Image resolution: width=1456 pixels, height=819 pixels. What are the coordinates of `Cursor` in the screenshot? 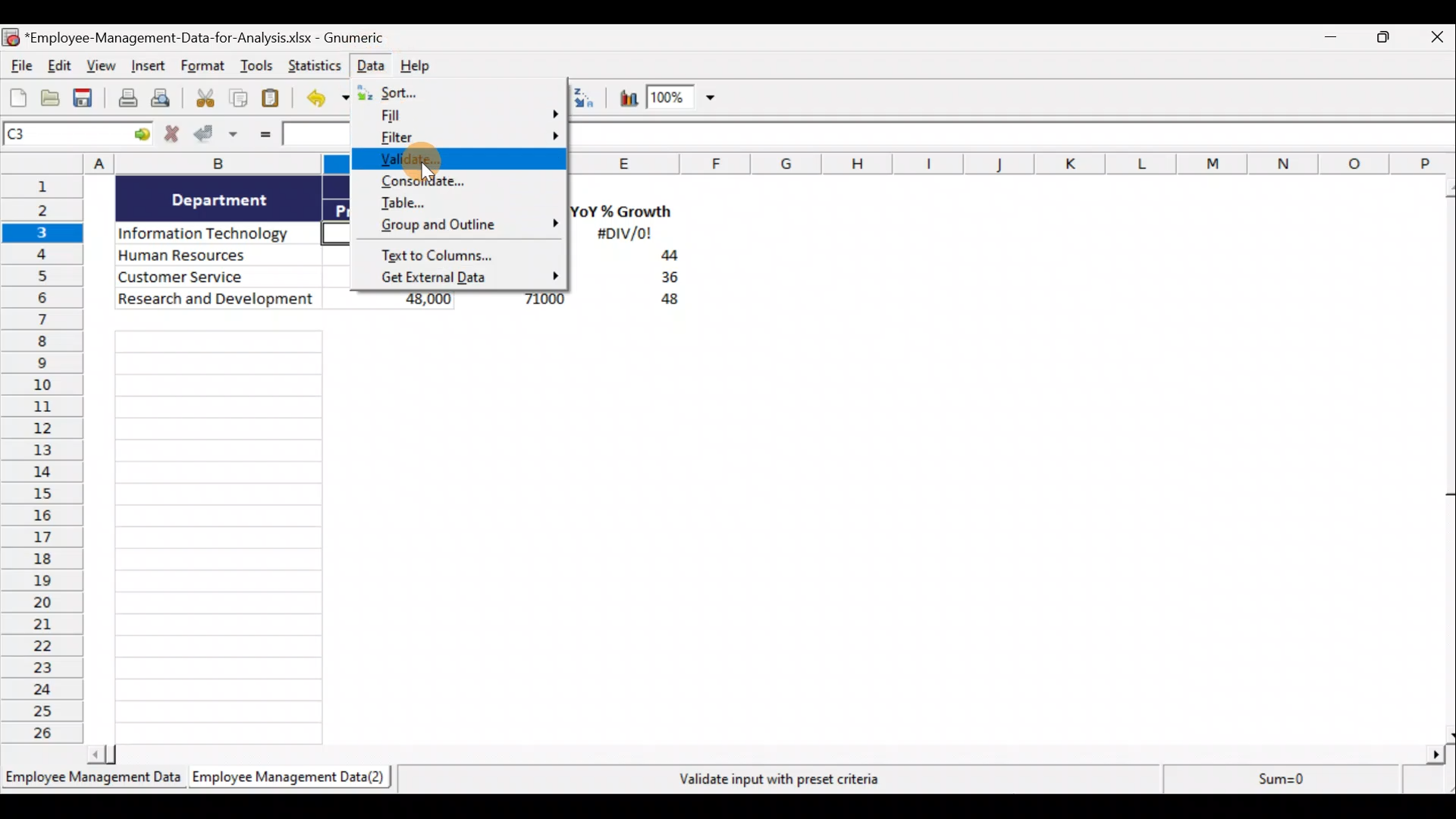 It's located at (424, 161).